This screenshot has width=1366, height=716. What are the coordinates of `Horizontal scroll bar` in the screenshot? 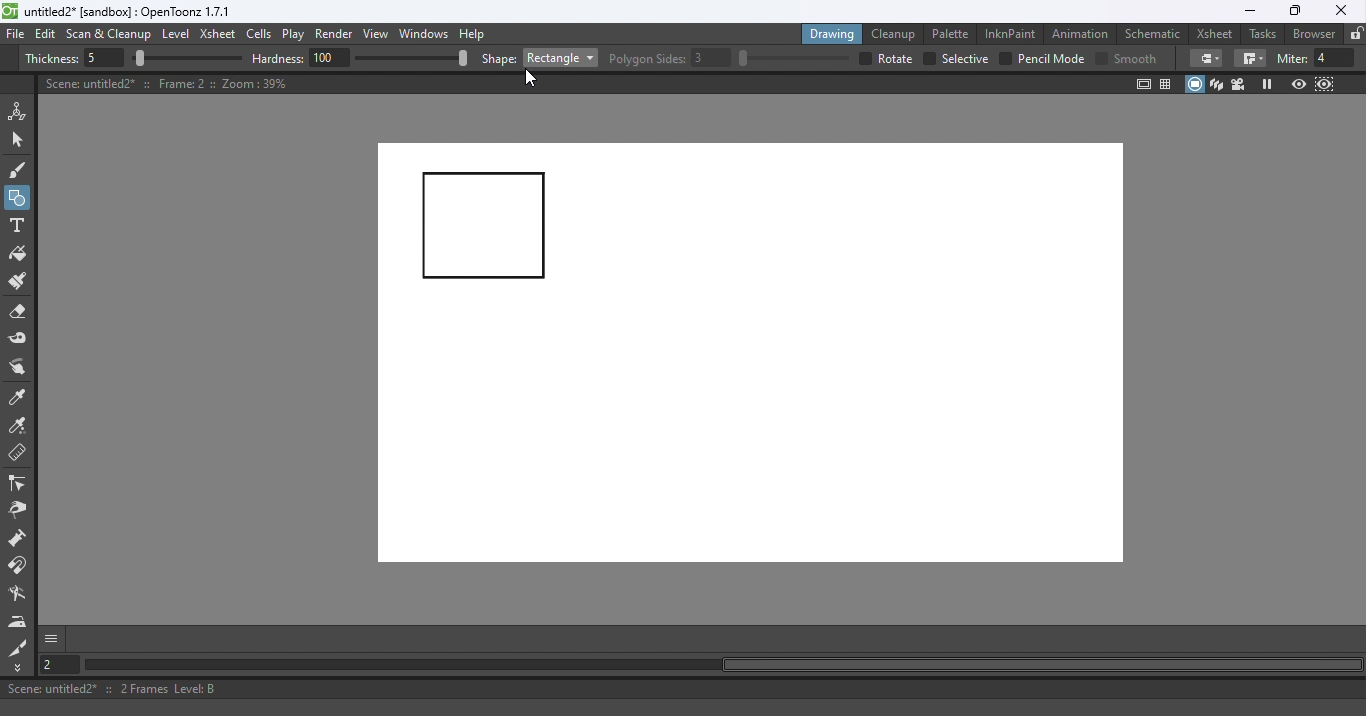 It's located at (722, 665).